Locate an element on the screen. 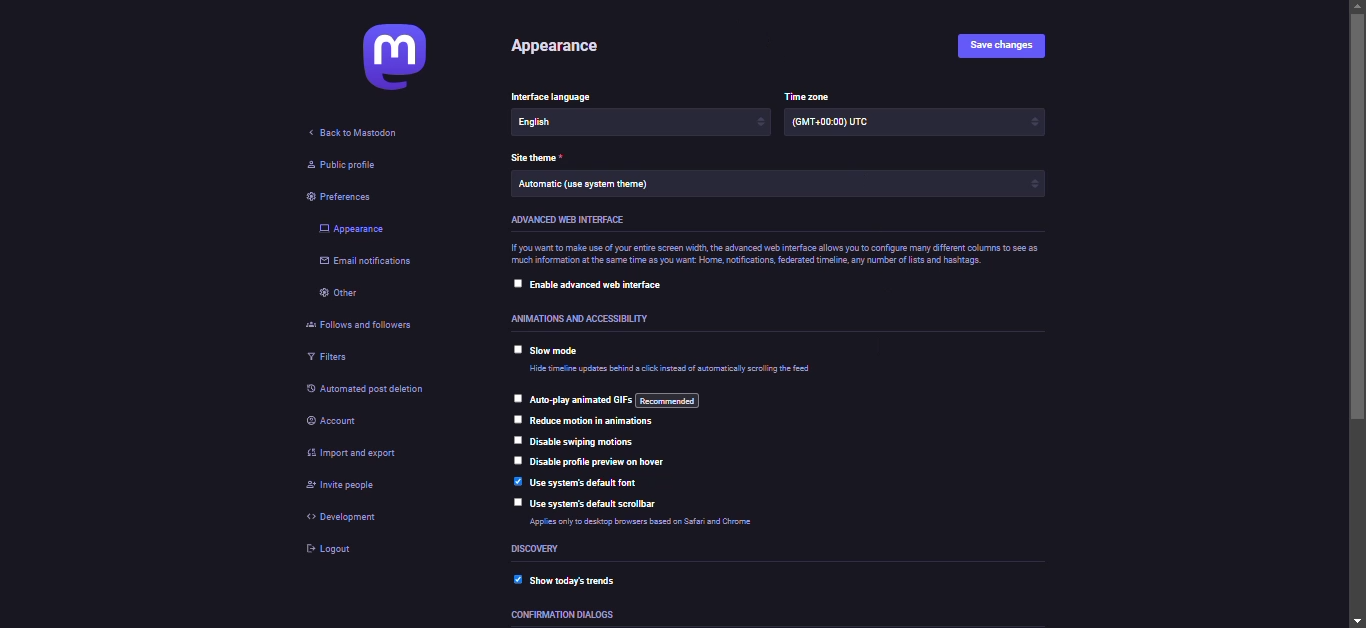 This screenshot has width=1366, height=628. appearance is located at coordinates (562, 49).